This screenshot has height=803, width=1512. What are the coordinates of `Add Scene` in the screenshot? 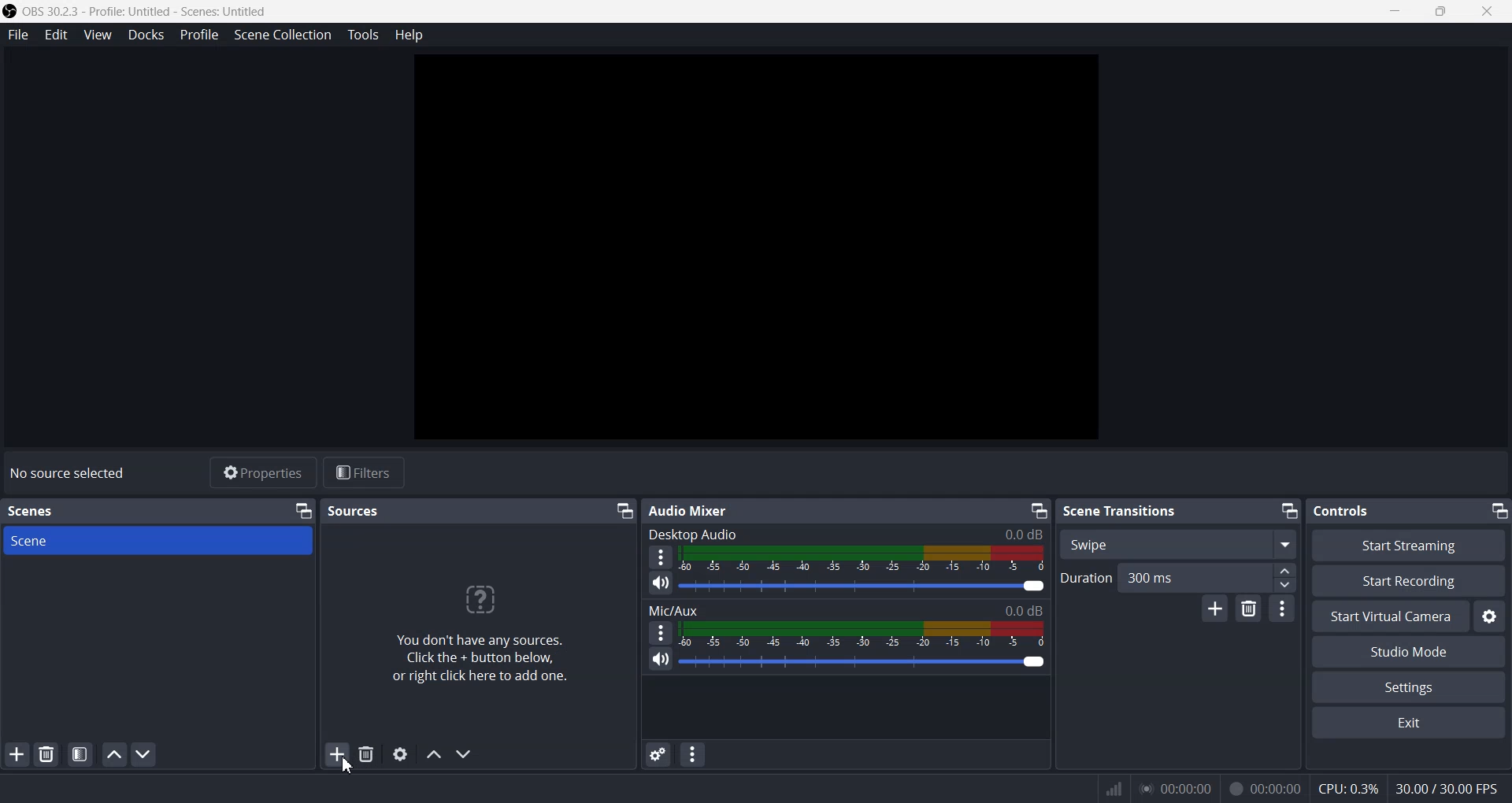 It's located at (16, 754).